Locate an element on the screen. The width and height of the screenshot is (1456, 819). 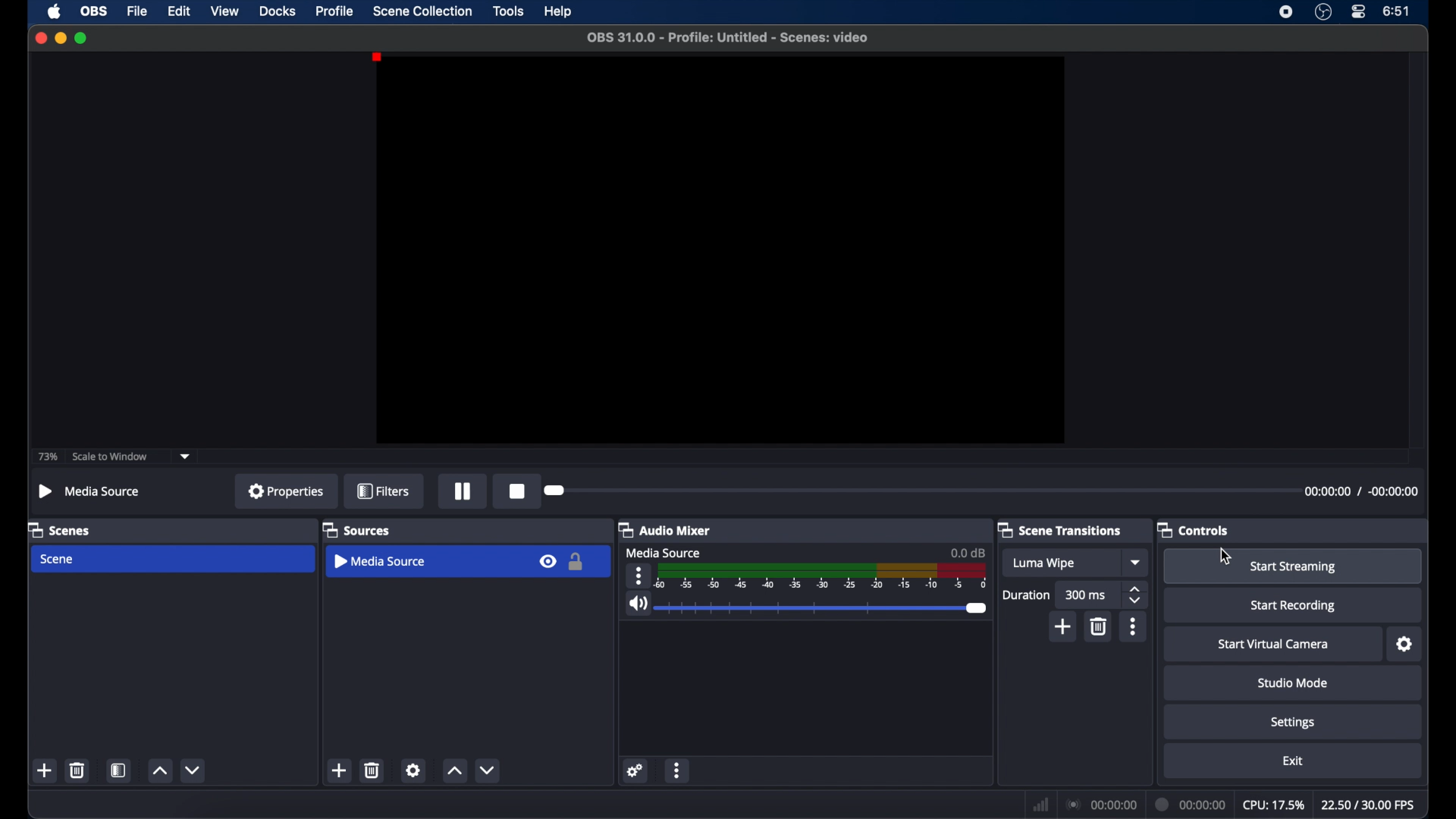
stepper buttons is located at coordinates (1136, 595).